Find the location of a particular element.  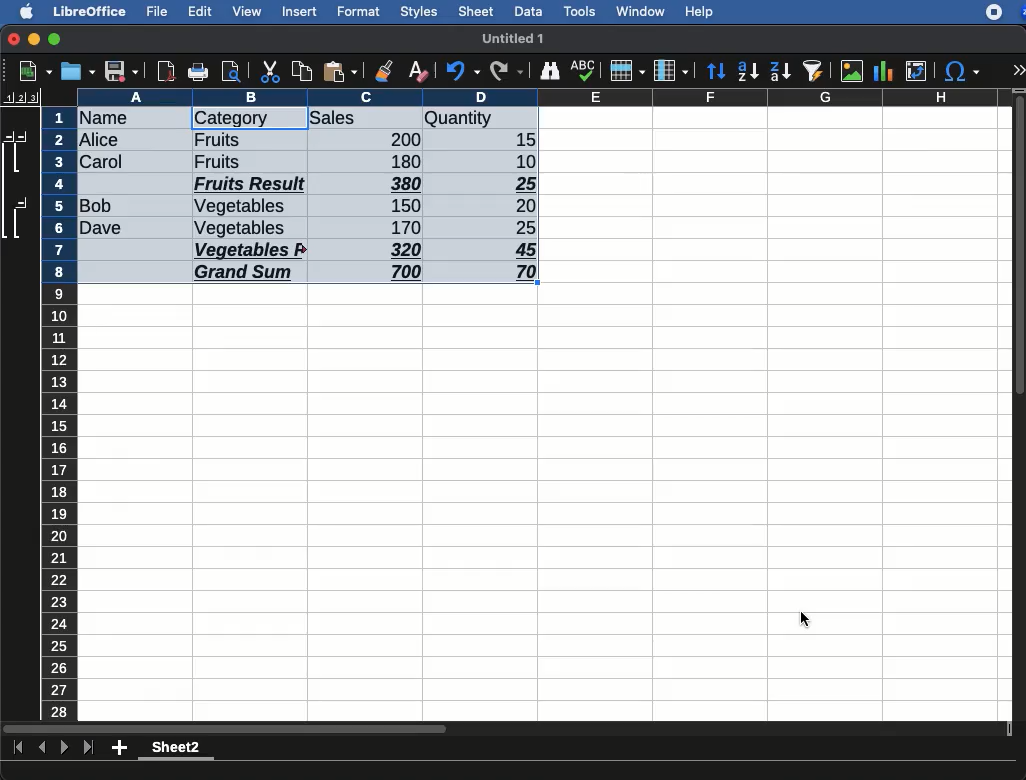

Cursor is located at coordinates (813, 620).